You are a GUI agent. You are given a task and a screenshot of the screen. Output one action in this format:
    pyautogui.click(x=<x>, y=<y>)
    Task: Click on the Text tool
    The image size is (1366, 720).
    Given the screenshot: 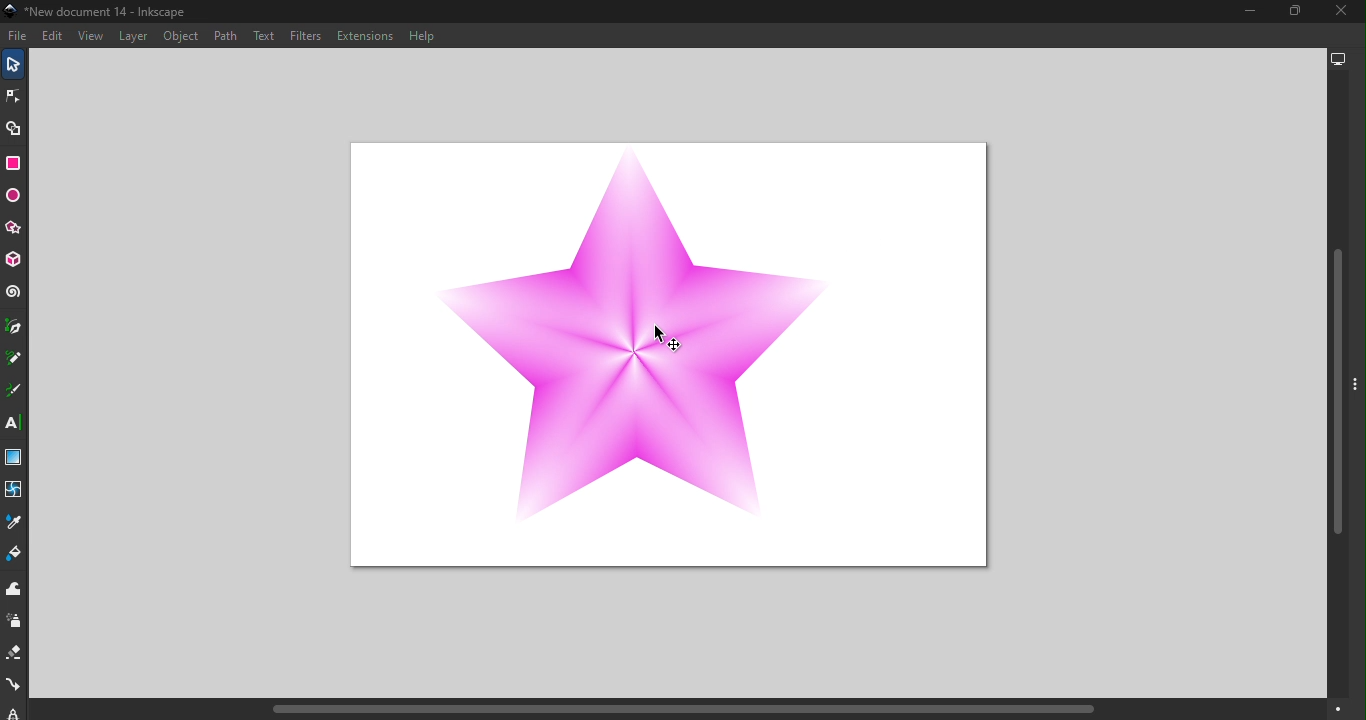 What is the action you would take?
    pyautogui.click(x=15, y=423)
    